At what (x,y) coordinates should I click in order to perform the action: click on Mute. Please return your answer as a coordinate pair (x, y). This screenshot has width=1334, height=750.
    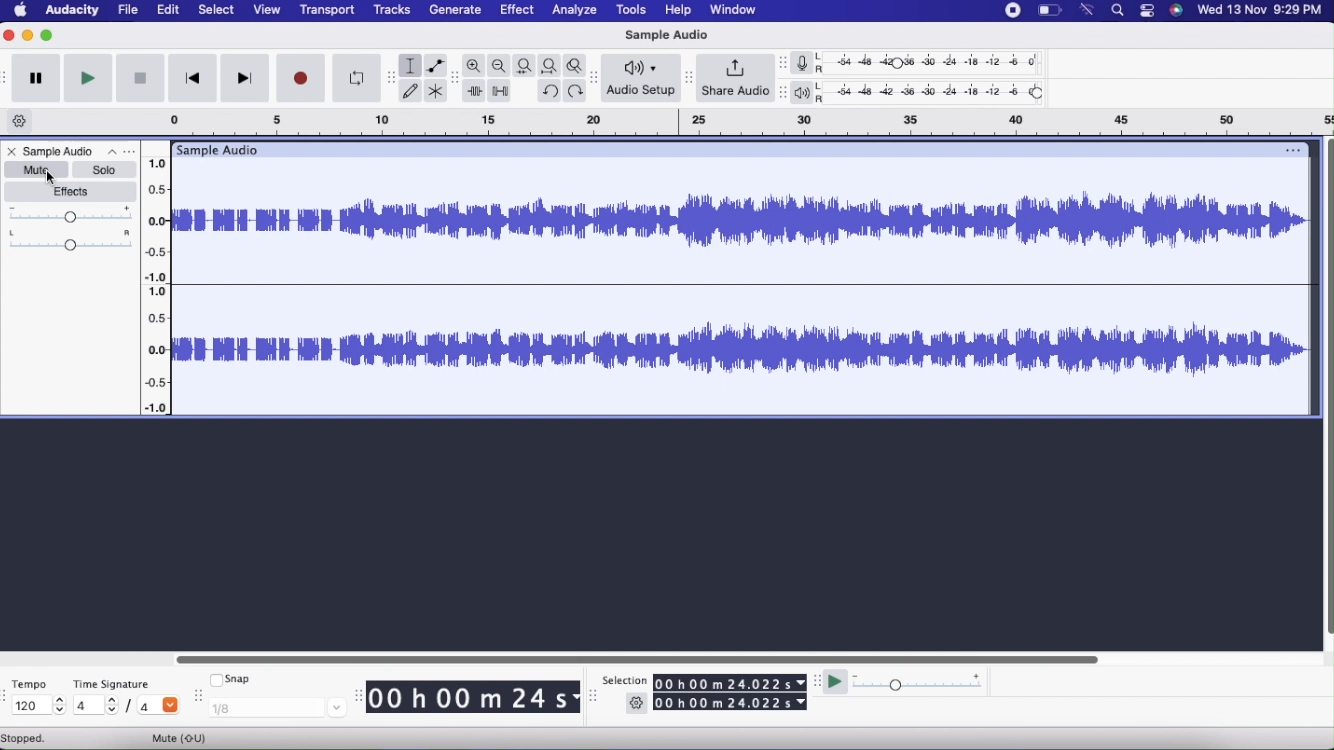
    Looking at the image, I should click on (34, 169).